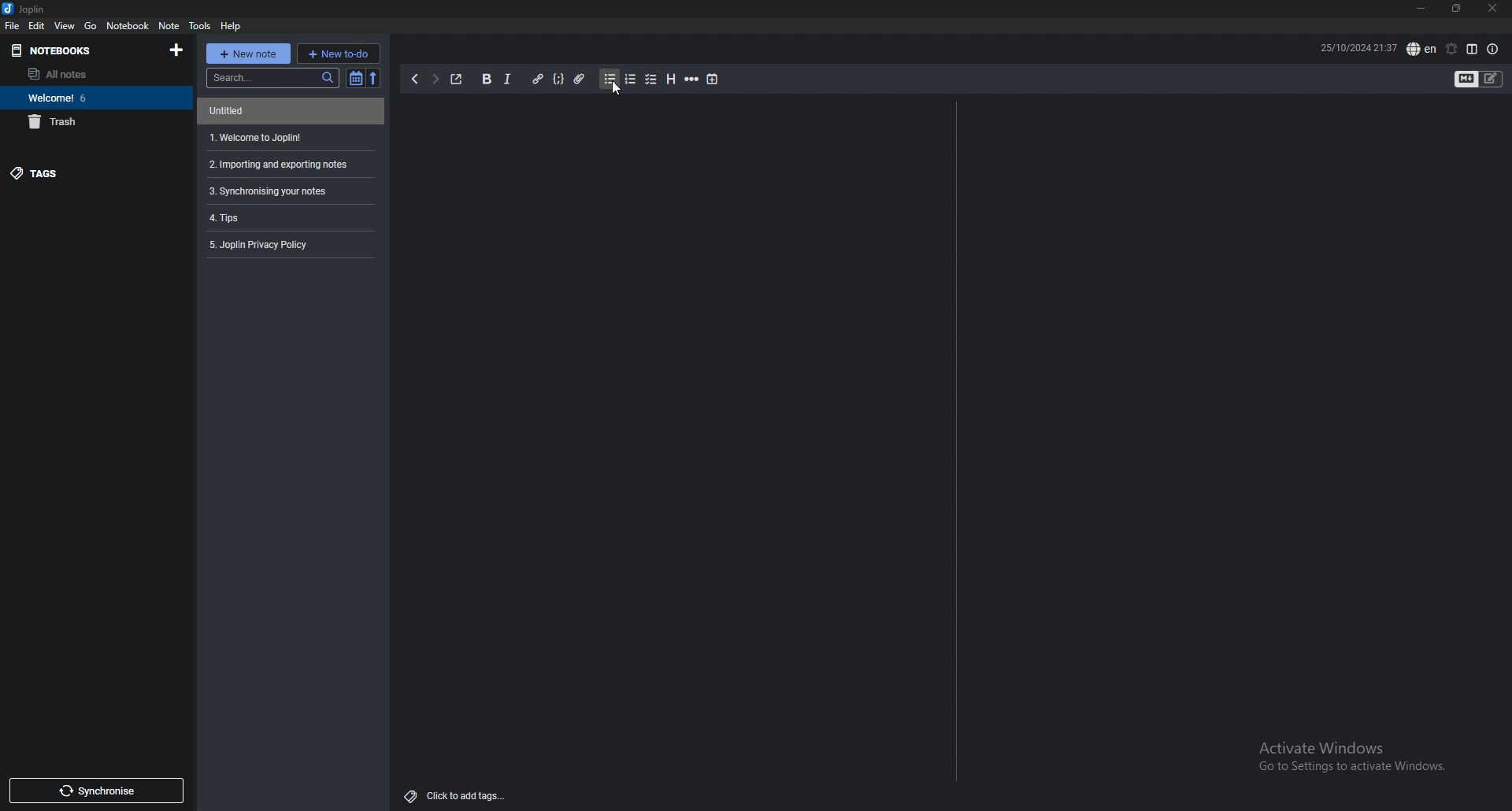  What do you see at coordinates (486, 80) in the screenshot?
I see `Bold` at bounding box center [486, 80].